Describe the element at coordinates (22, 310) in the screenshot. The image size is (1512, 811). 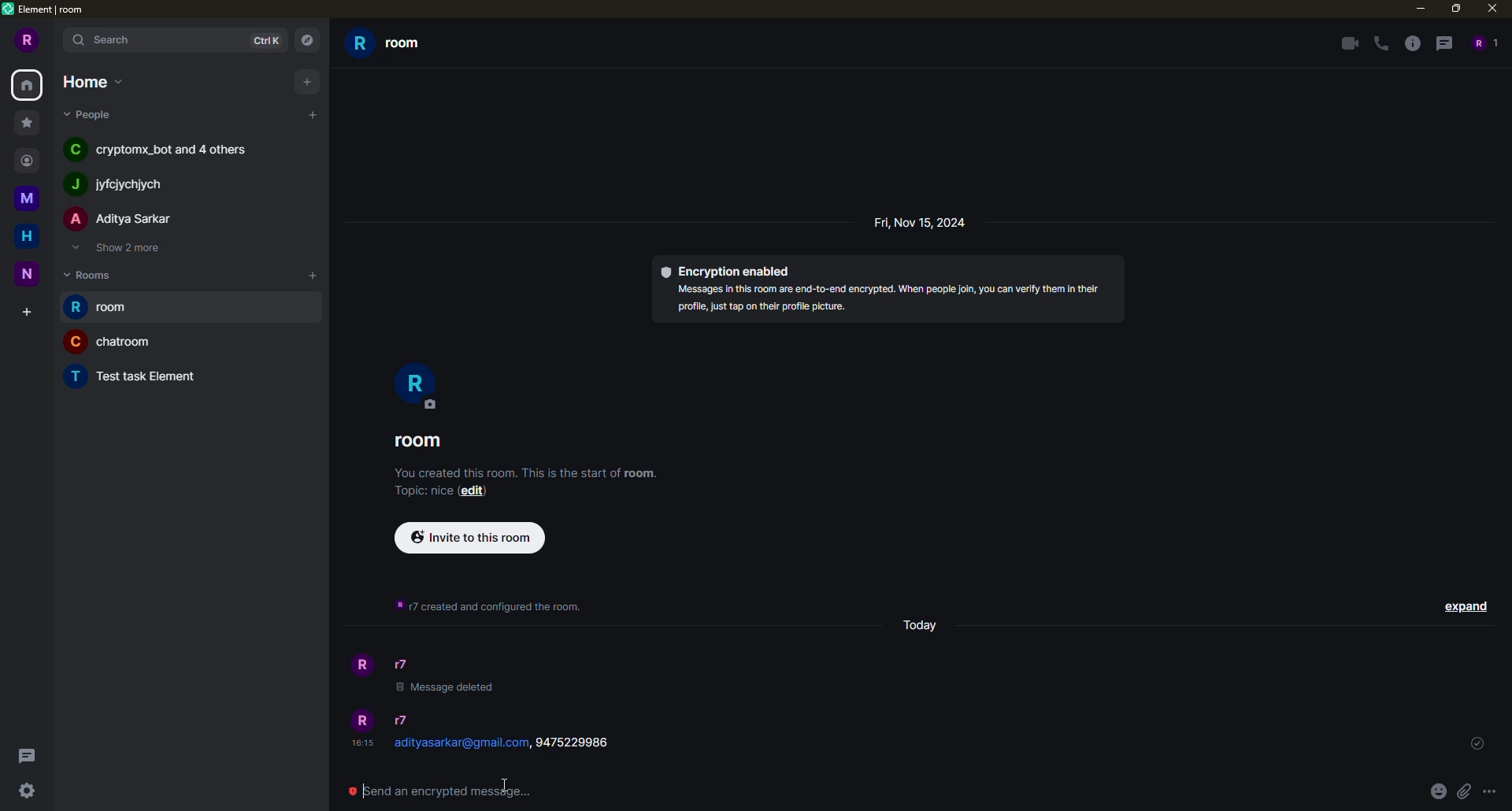
I see `create space` at that location.